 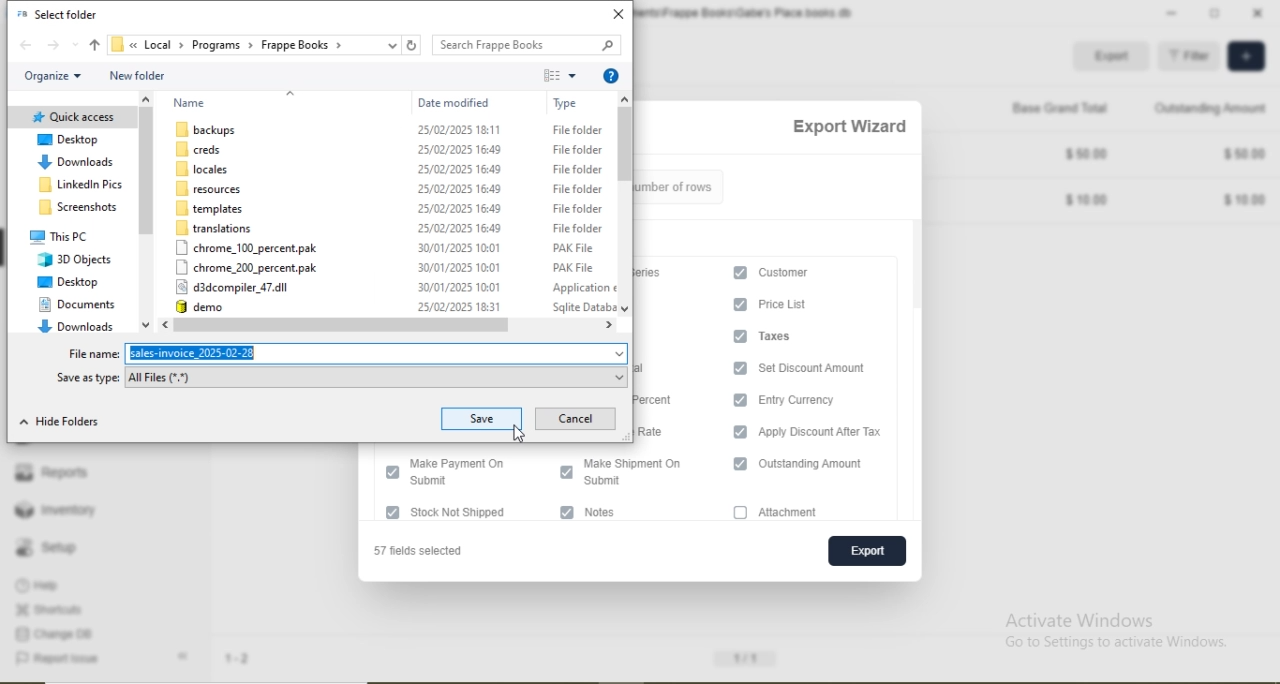 What do you see at coordinates (52, 46) in the screenshot?
I see `next` at bounding box center [52, 46].